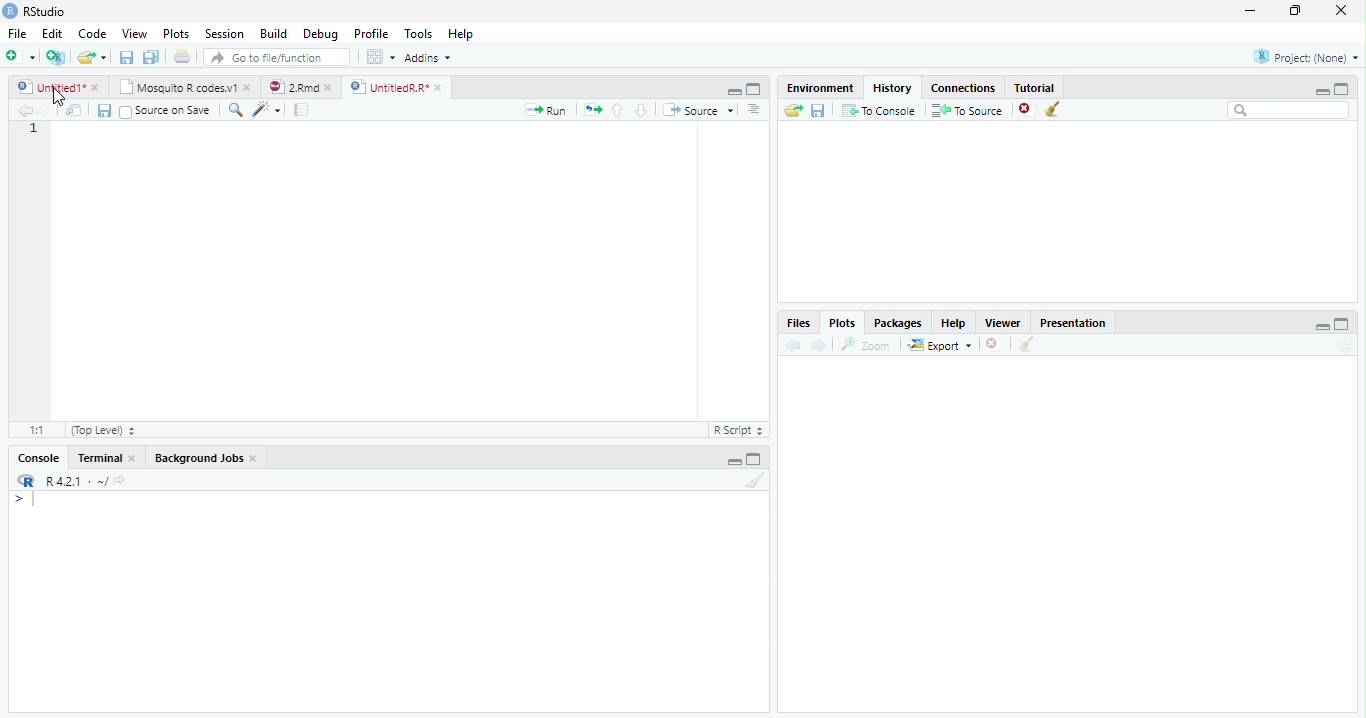  What do you see at coordinates (841, 323) in the screenshot?
I see `Plots` at bounding box center [841, 323].